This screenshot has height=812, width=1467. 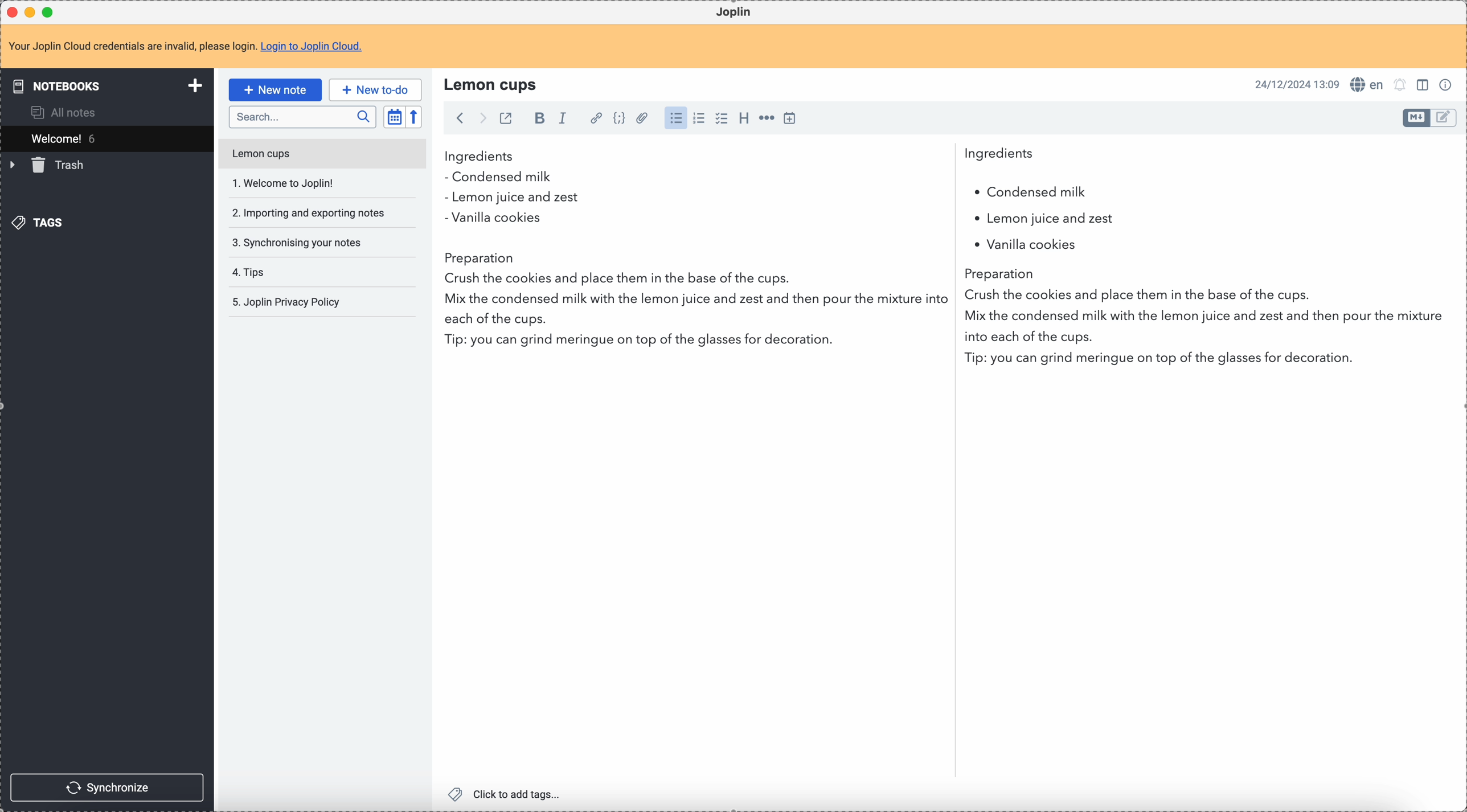 What do you see at coordinates (460, 118) in the screenshot?
I see `back` at bounding box center [460, 118].